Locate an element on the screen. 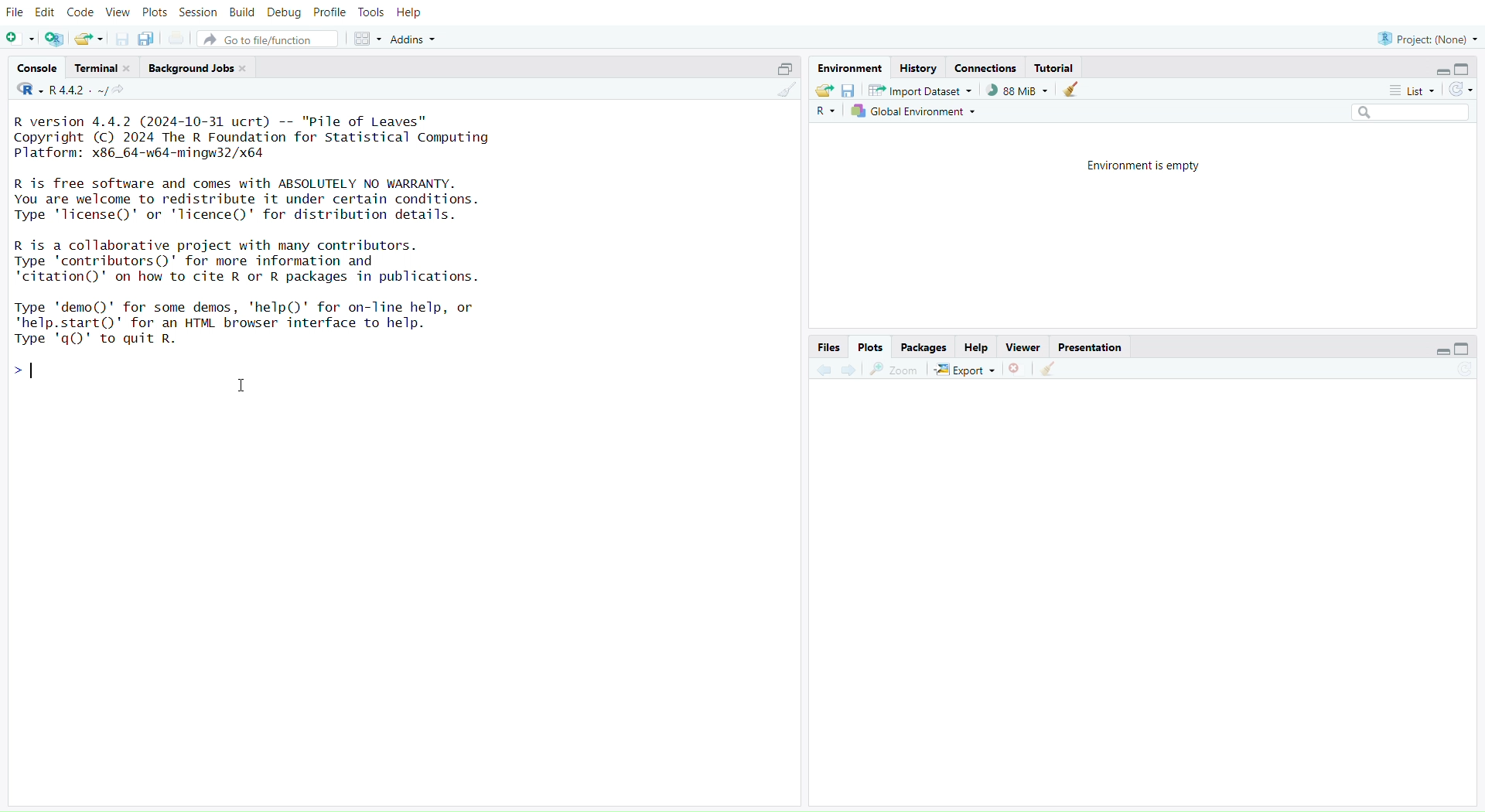 Image resolution: width=1485 pixels, height=812 pixels. clear console is located at coordinates (783, 91).